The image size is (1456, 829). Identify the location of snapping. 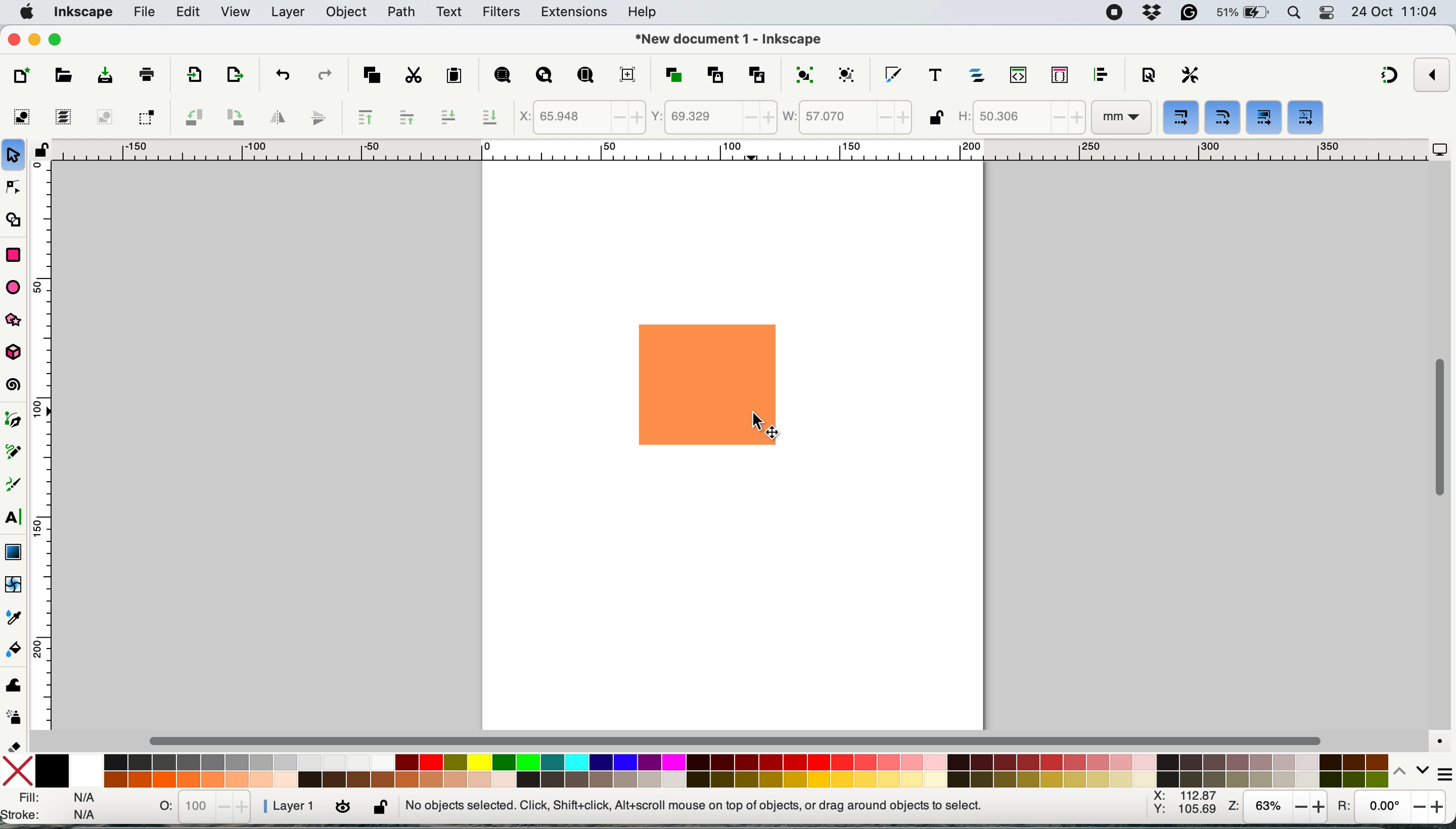
(1391, 76).